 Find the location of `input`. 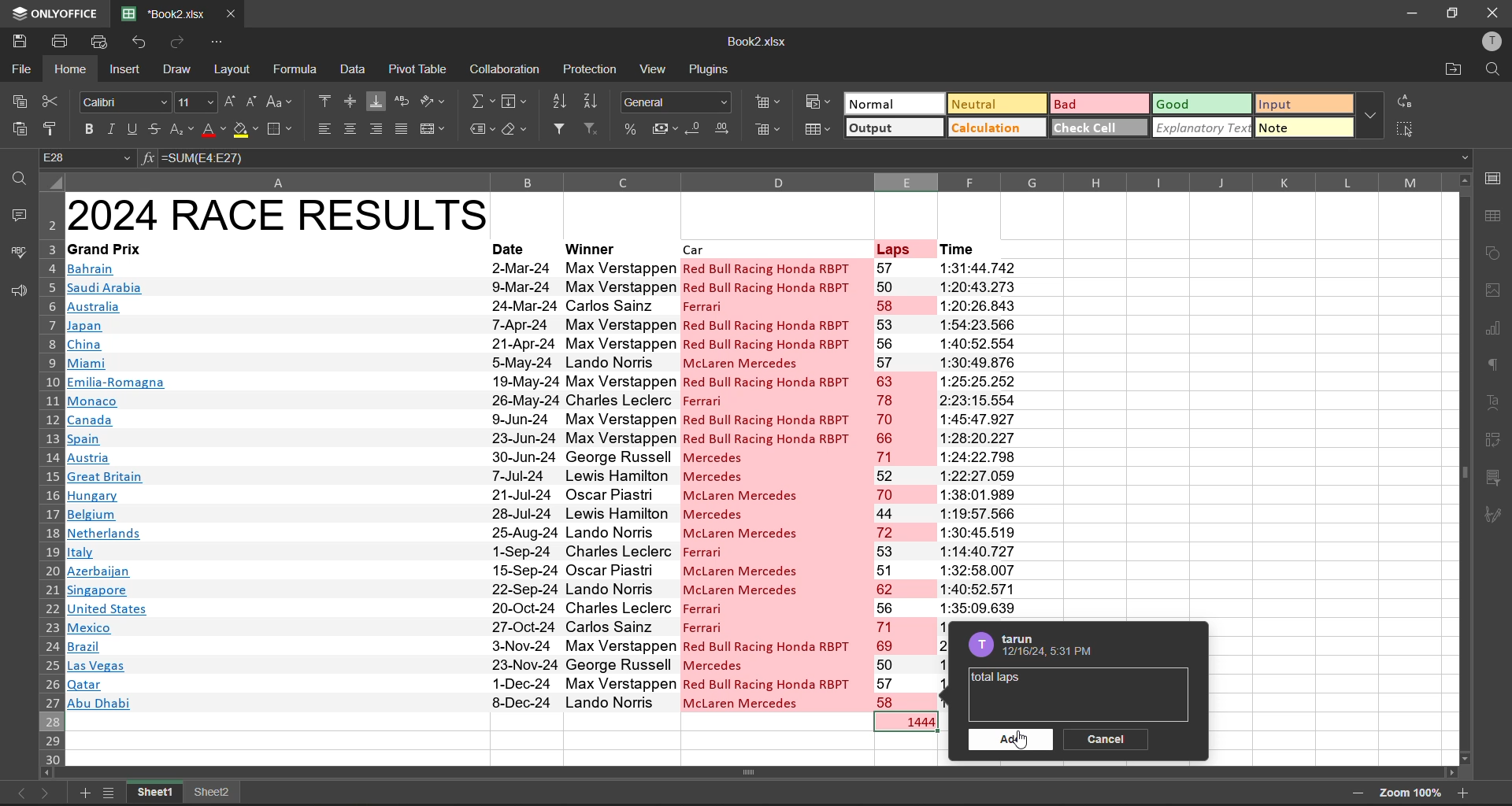

input is located at coordinates (1301, 105).